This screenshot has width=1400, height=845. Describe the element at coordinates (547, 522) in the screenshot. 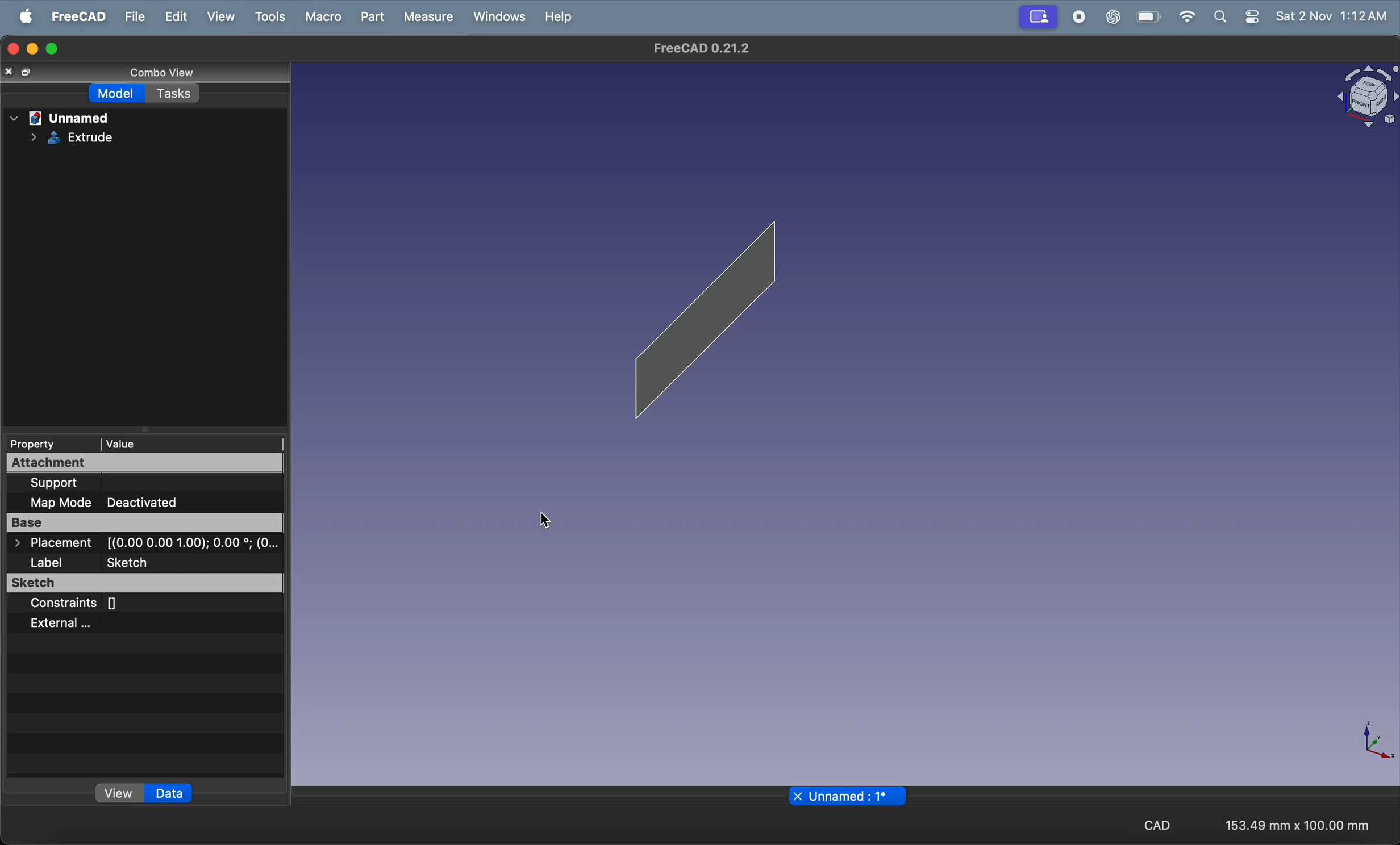

I see `cursor` at that location.